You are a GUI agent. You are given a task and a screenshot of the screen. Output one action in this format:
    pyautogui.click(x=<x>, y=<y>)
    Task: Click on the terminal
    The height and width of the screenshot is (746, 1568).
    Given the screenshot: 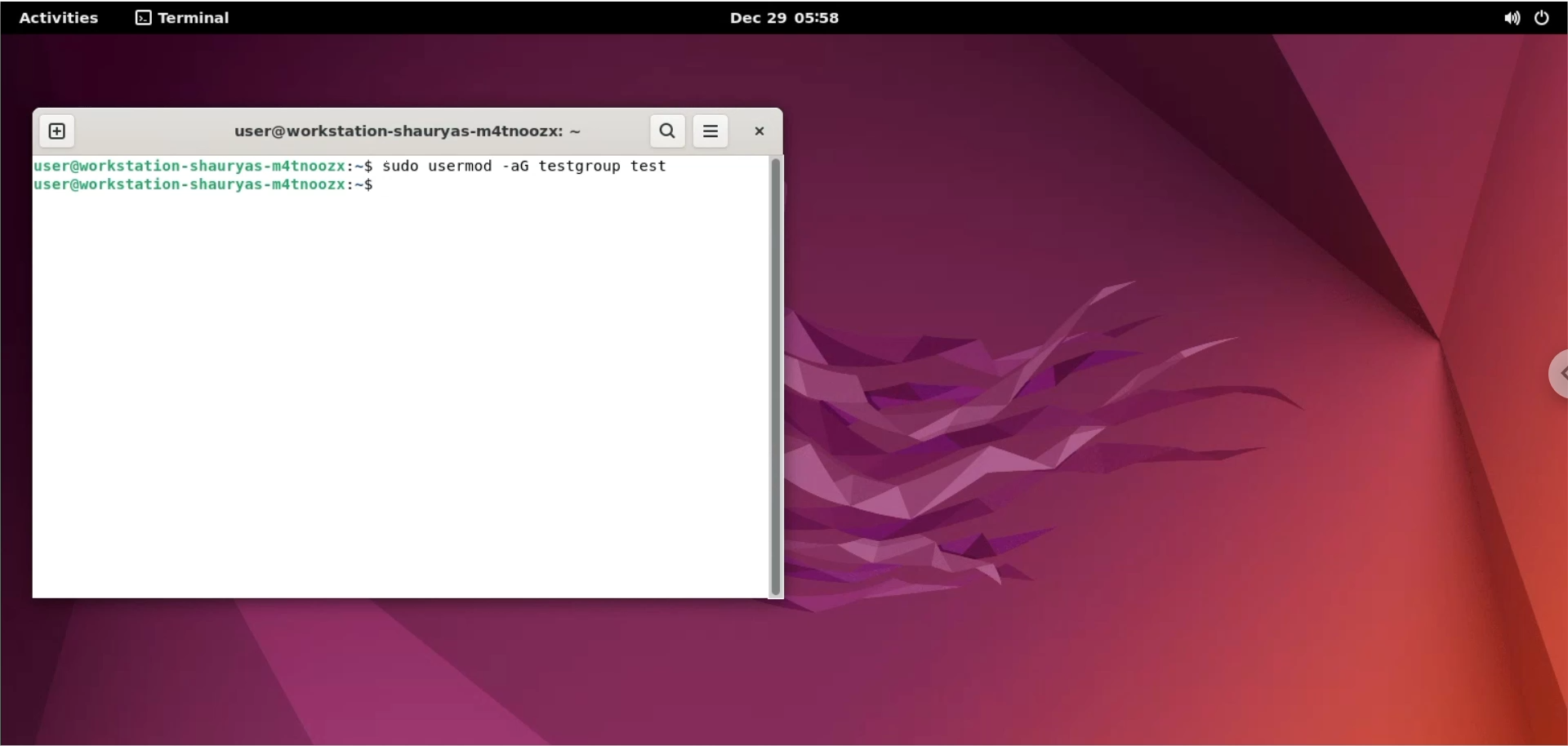 What is the action you would take?
    pyautogui.click(x=185, y=20)
    